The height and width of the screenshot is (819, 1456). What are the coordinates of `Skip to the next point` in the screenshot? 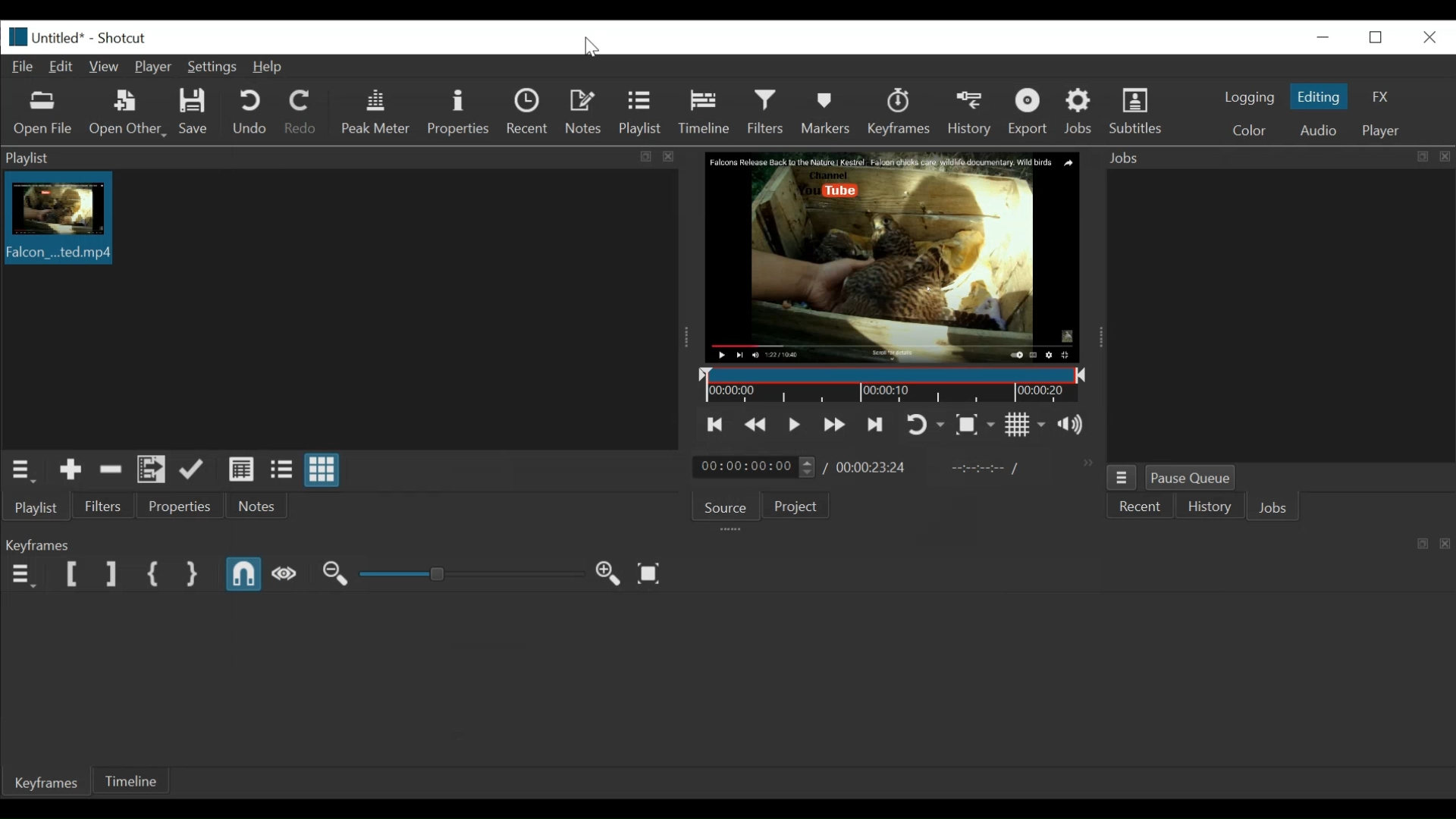 It's located at (836, 424).